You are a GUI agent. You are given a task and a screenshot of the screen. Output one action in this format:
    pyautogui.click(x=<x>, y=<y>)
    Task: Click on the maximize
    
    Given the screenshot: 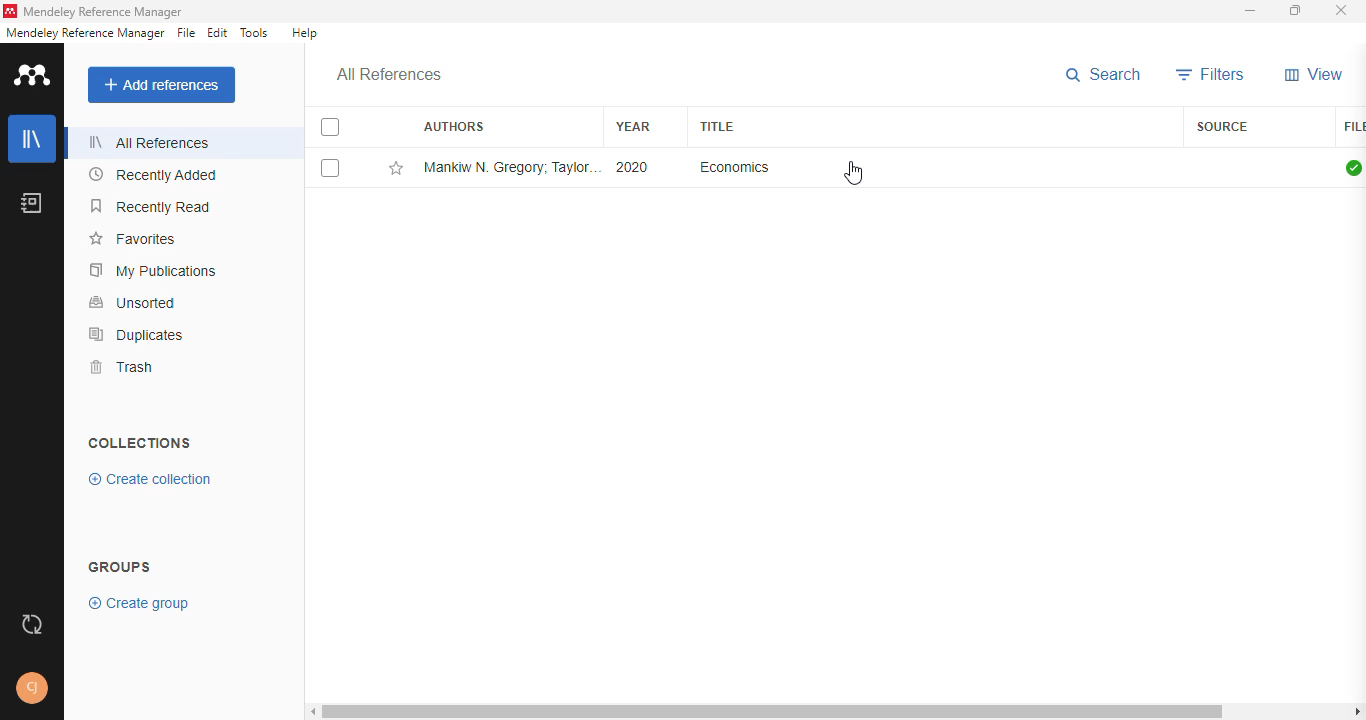 What is the action you would take?
    pyautogui.click(x=1296, y=10)
    